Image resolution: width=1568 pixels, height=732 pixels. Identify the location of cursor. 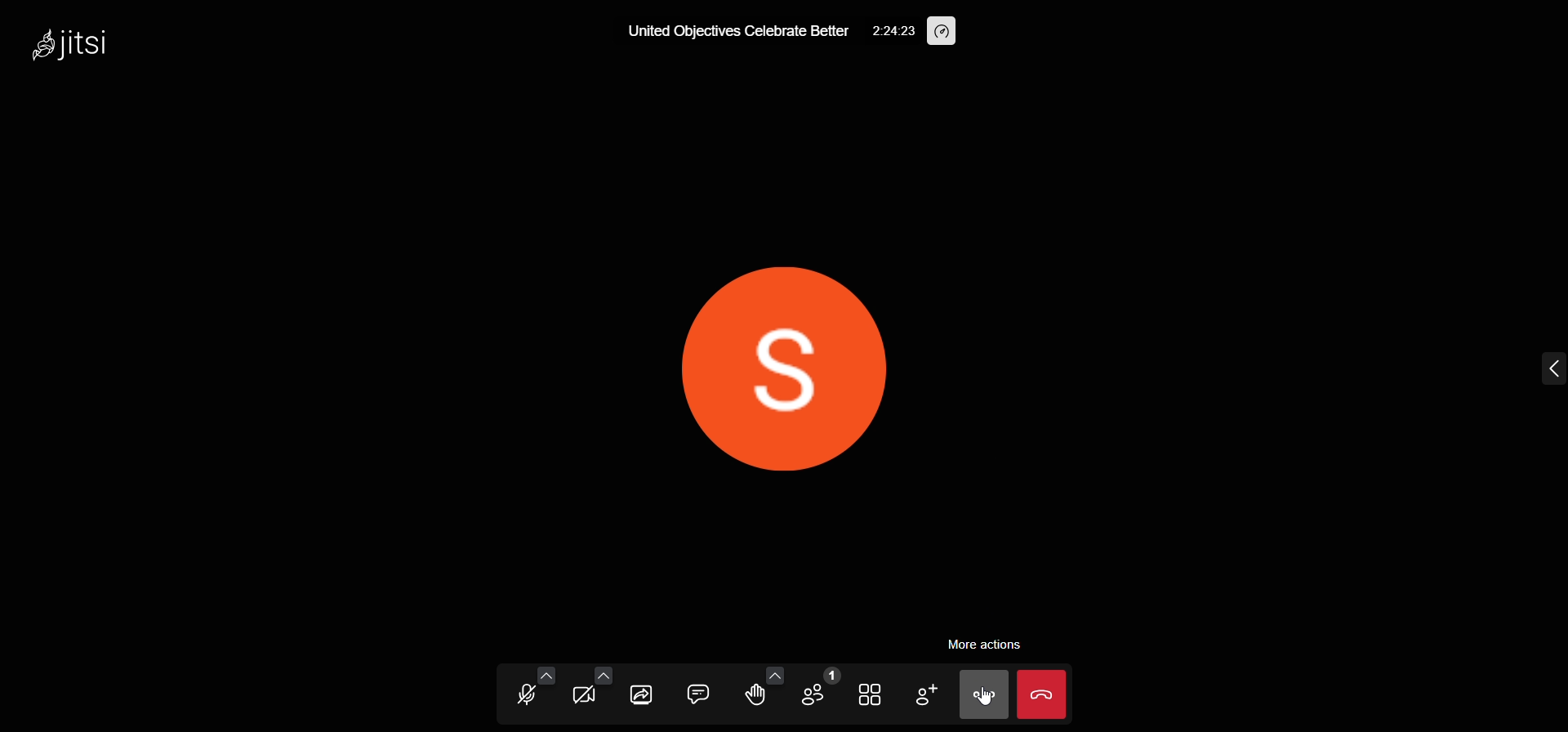
(985, 696).